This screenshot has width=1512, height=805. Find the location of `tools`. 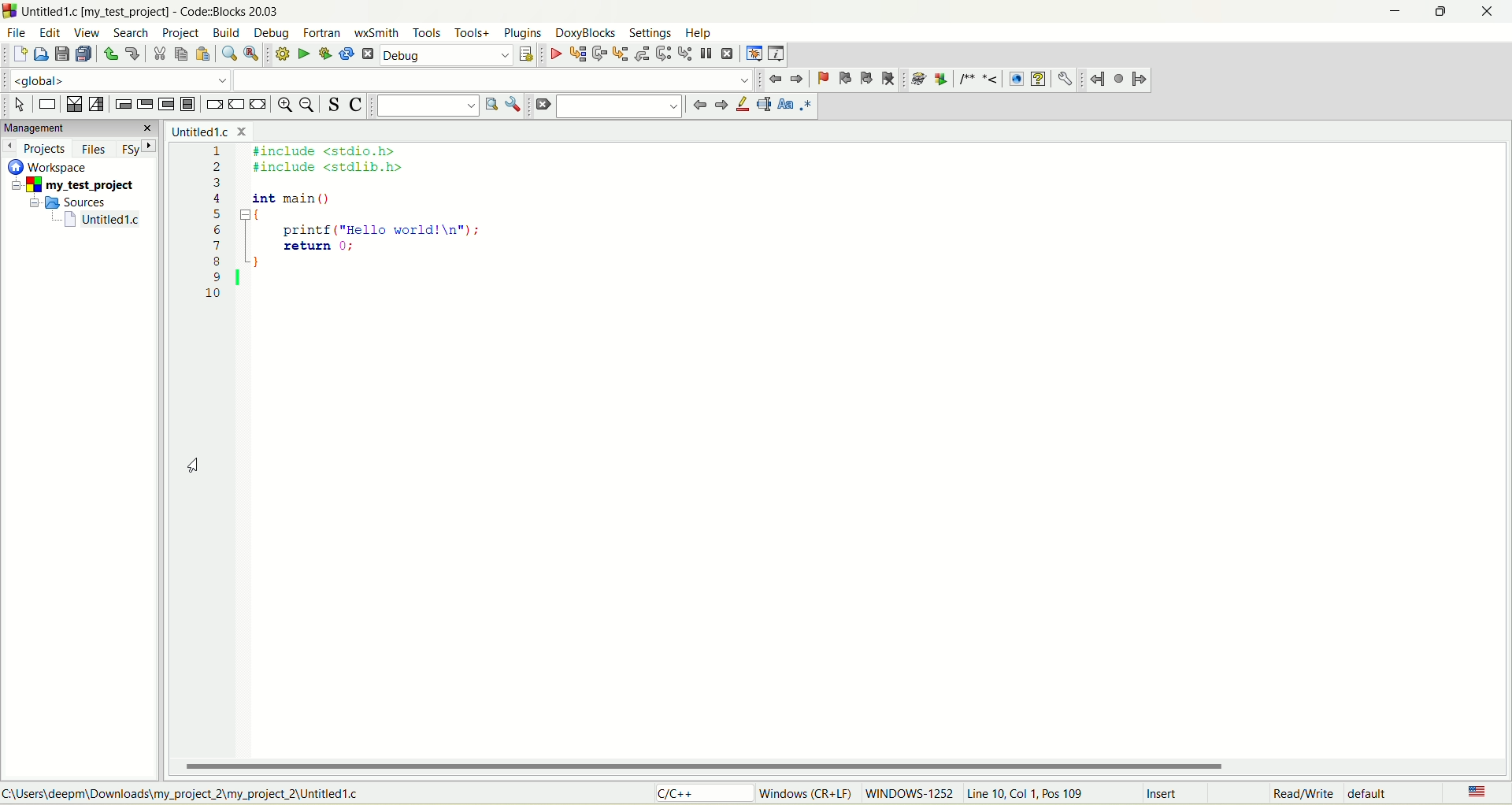

tools is located at coordinates (425, 32).